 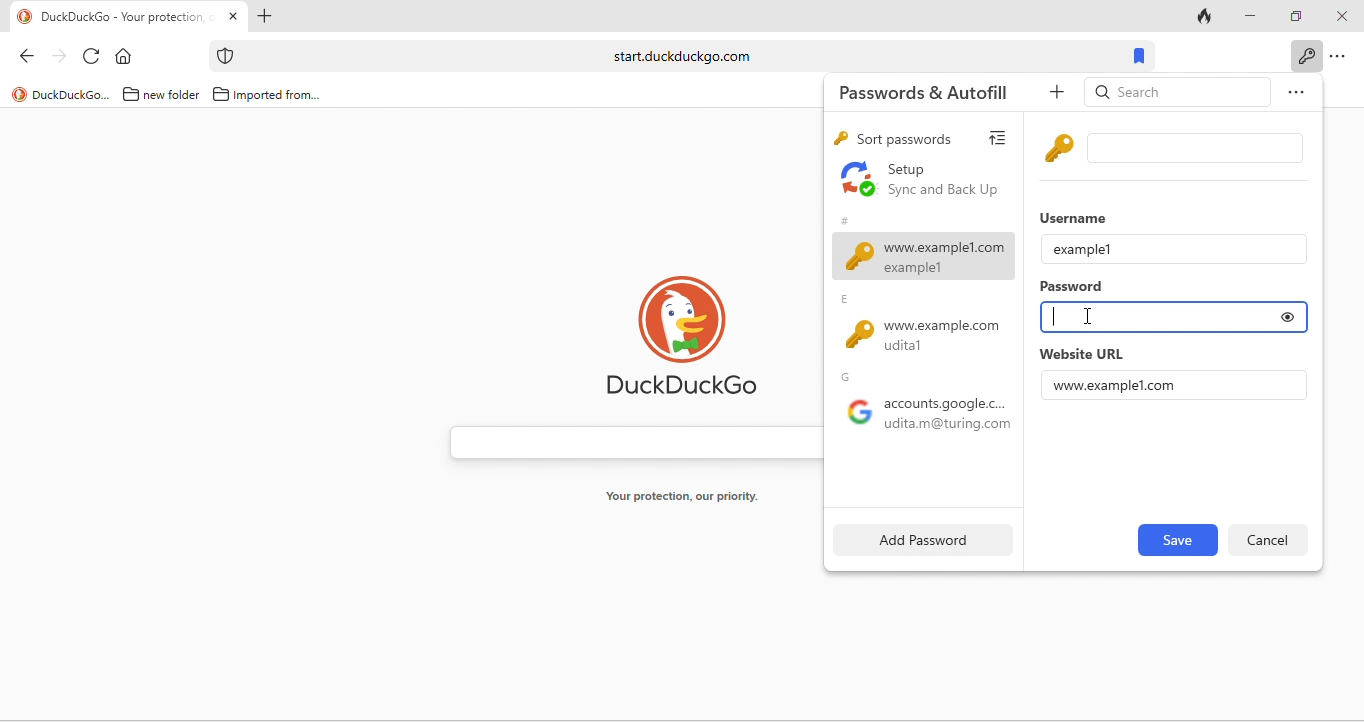 What do you see at coordinates (1292, 95) in the screenshot?
I see `option` at bounding box center [1292, 95].